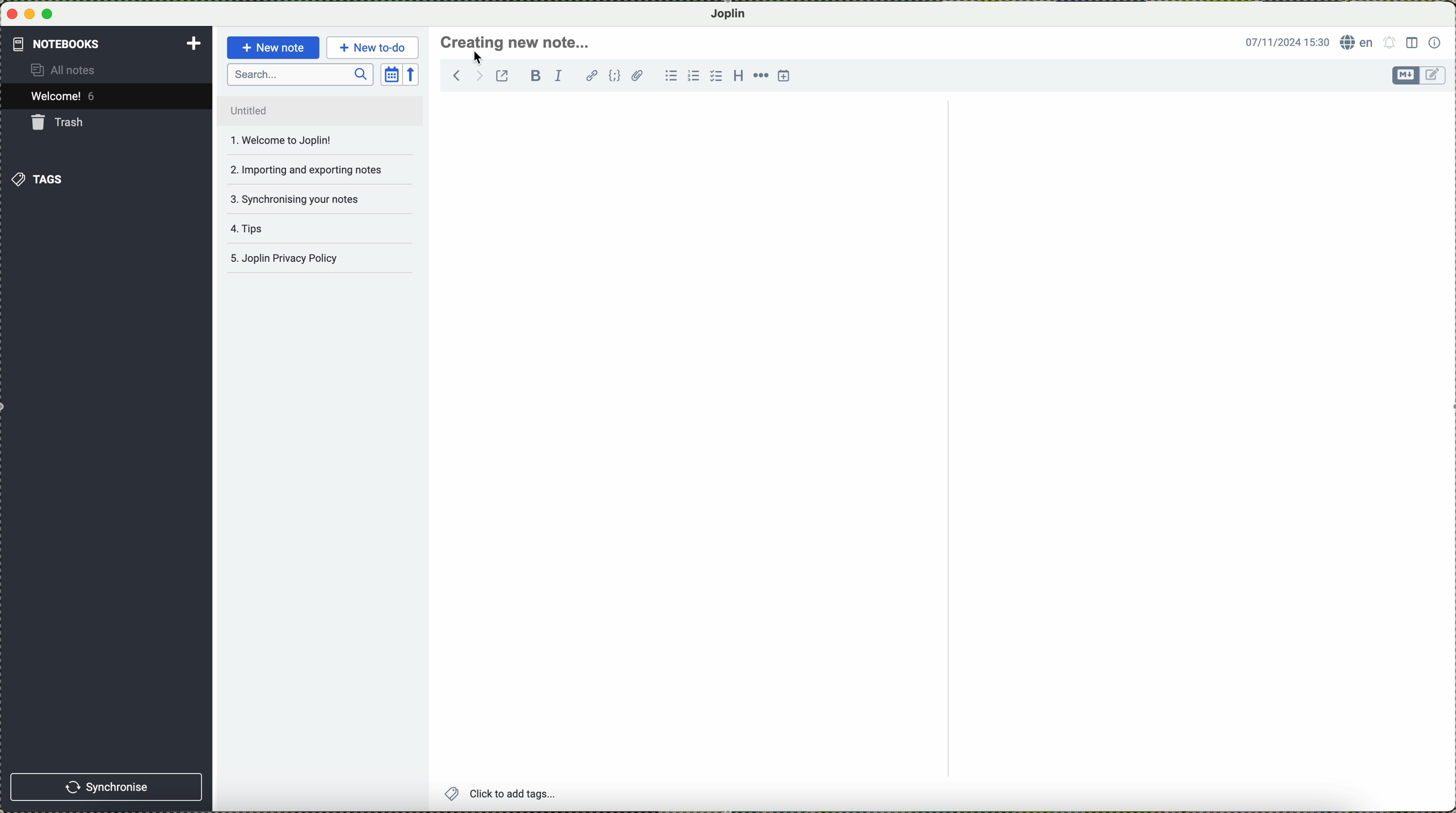  Describe the element at coordinates (536, 75) in the screenshot. I see `bold` at that location.